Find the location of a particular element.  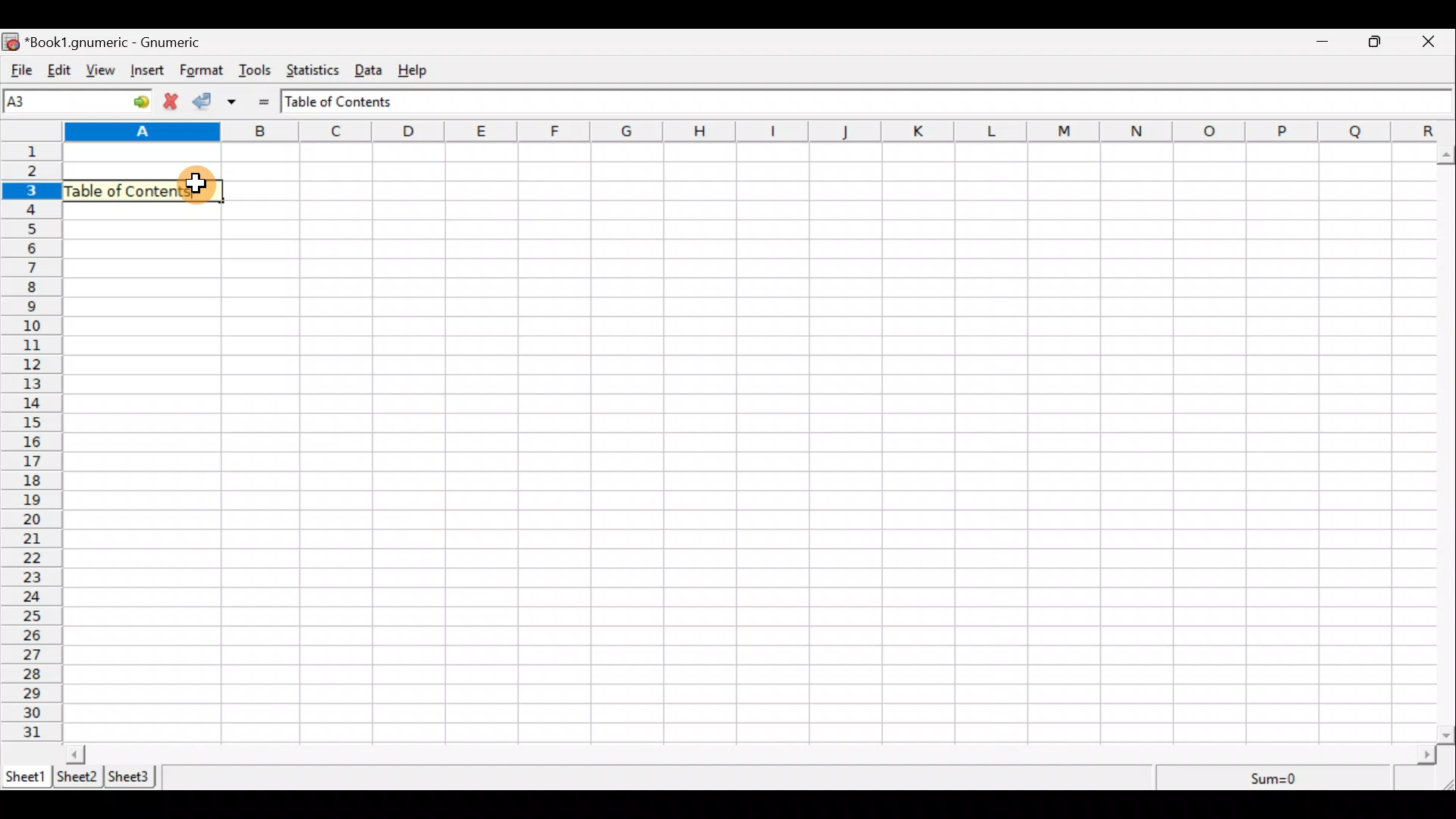

scroll up is located at coordinates (1447, 155).